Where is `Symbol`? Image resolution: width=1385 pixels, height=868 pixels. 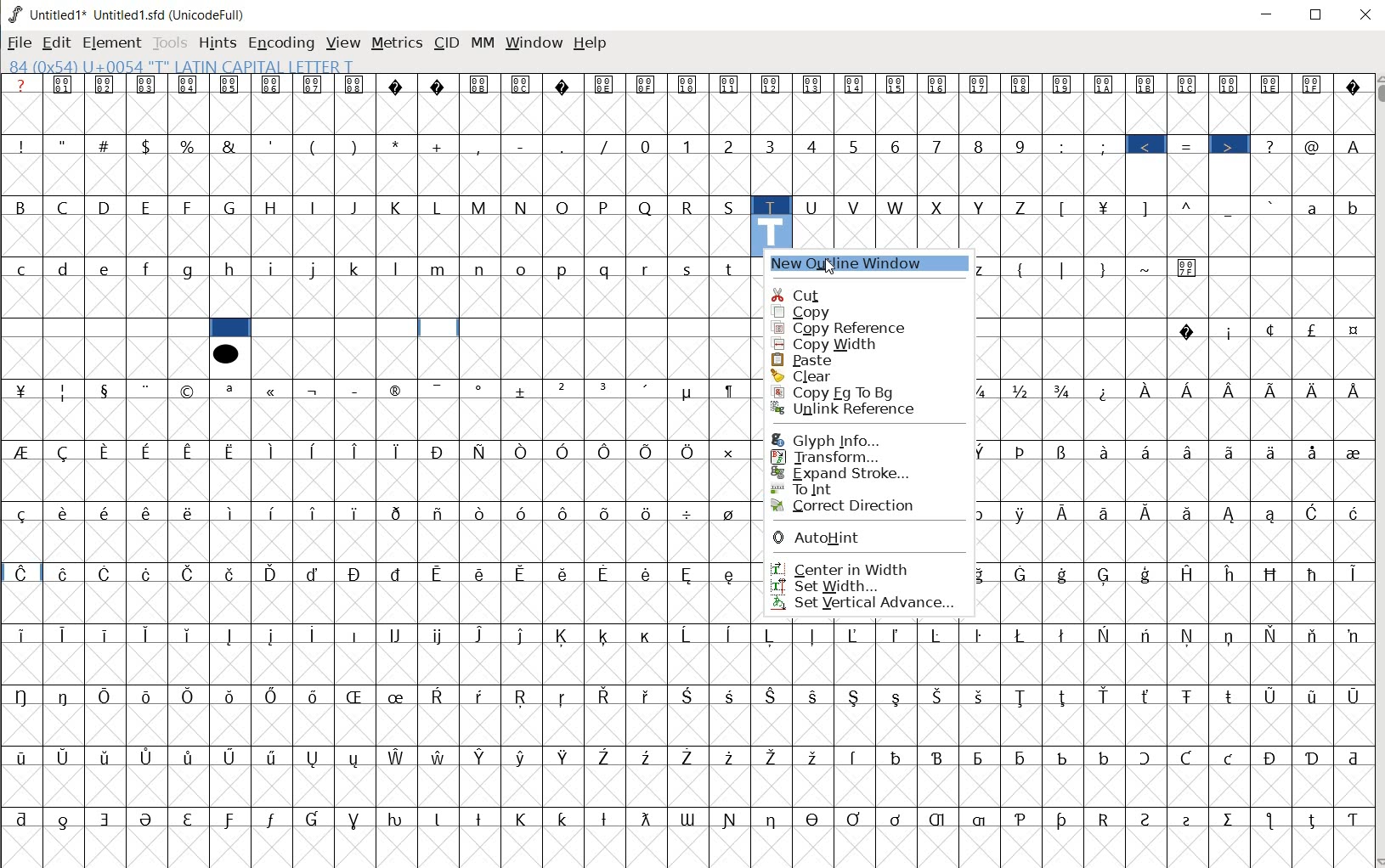 Symbol is located at coordinates (1021, 451).